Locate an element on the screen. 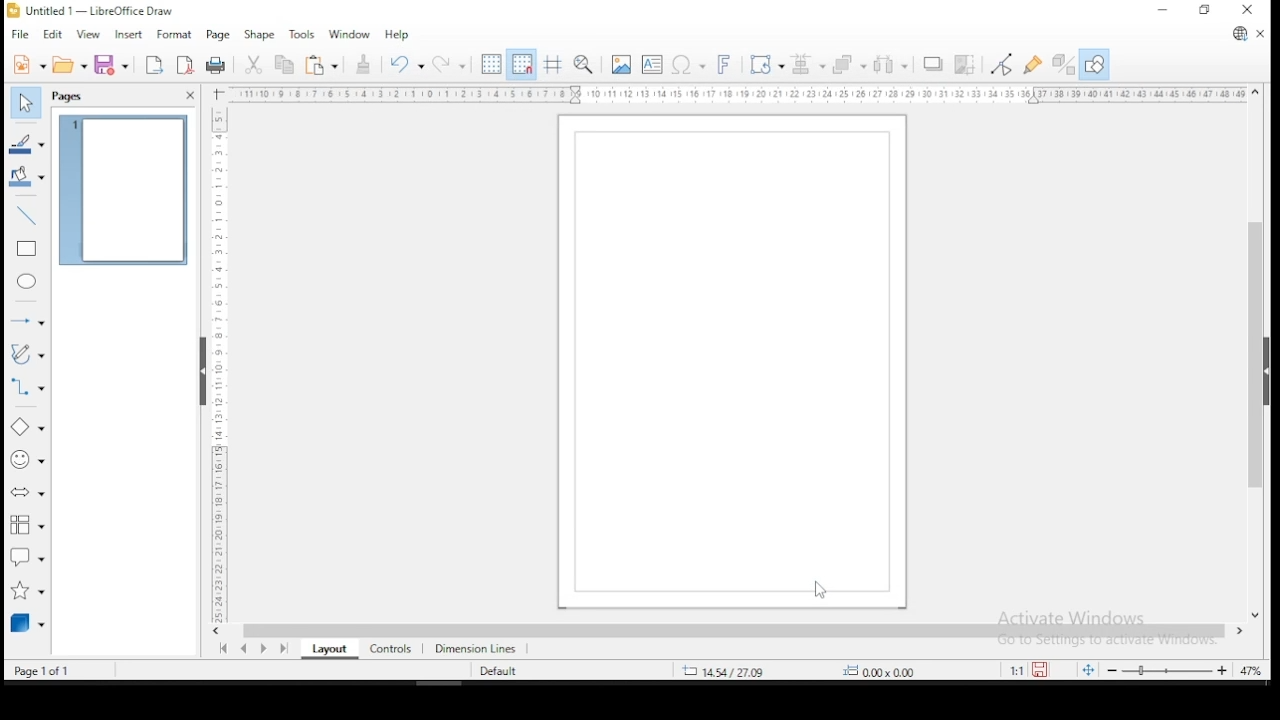 This screenshot has width=1280, height=720. show glue point functions is located at coordinates (1033, 63).